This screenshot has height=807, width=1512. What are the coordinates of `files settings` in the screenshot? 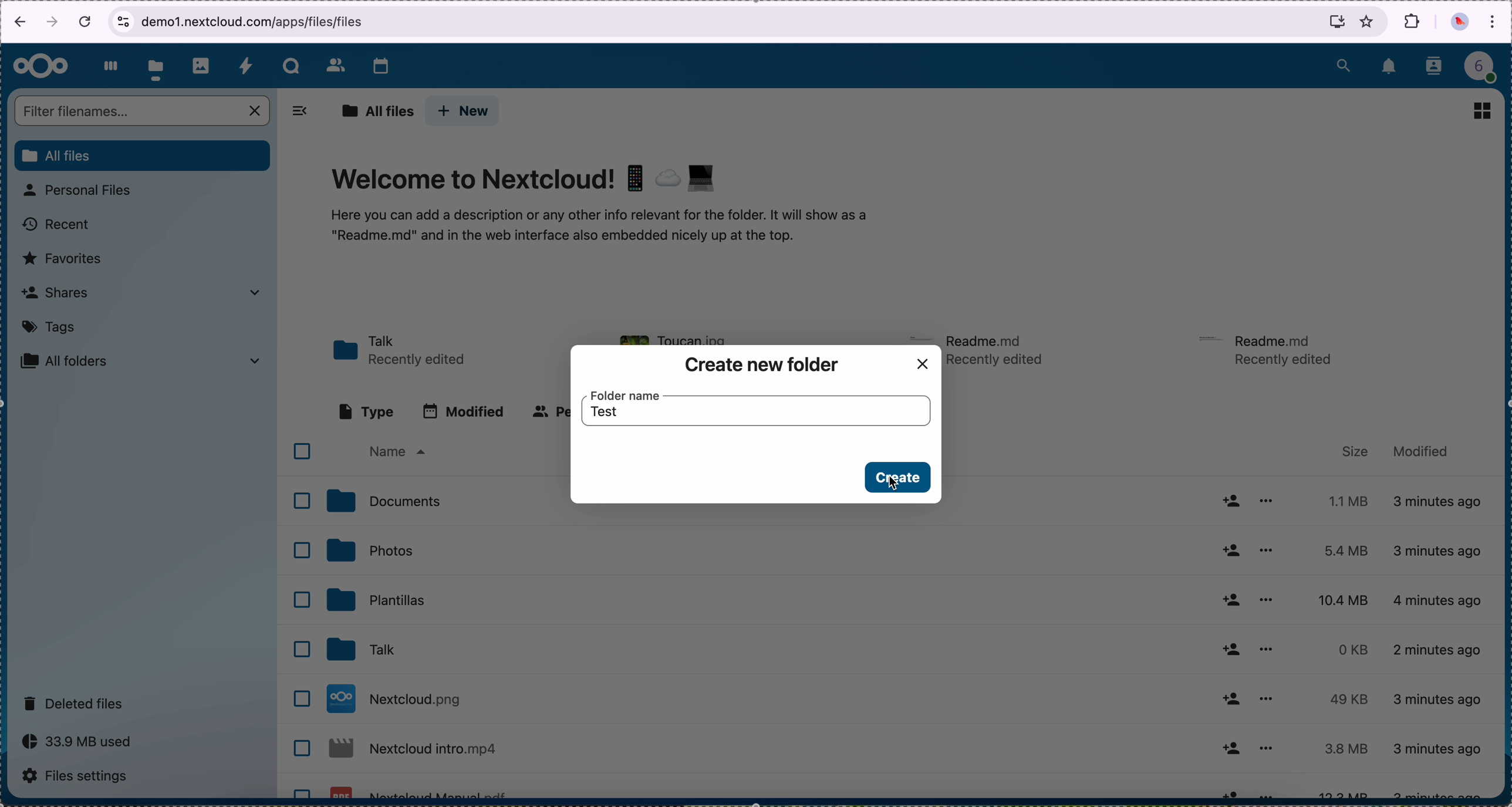 It's located at (81, 778).